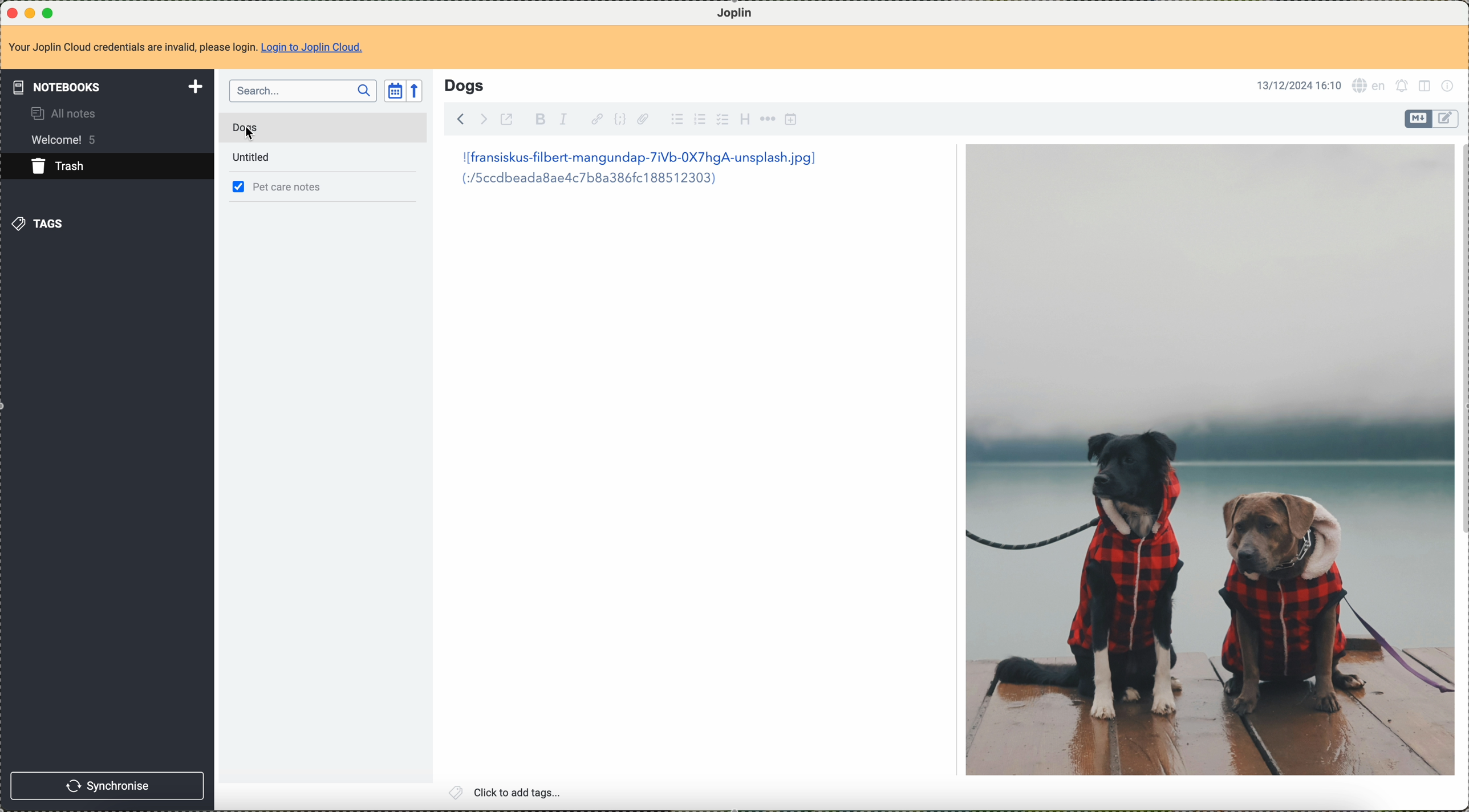 Image resolution: width=1469 pixels, height=812 pixels. I want to click on note properties, so click(1451, 87).